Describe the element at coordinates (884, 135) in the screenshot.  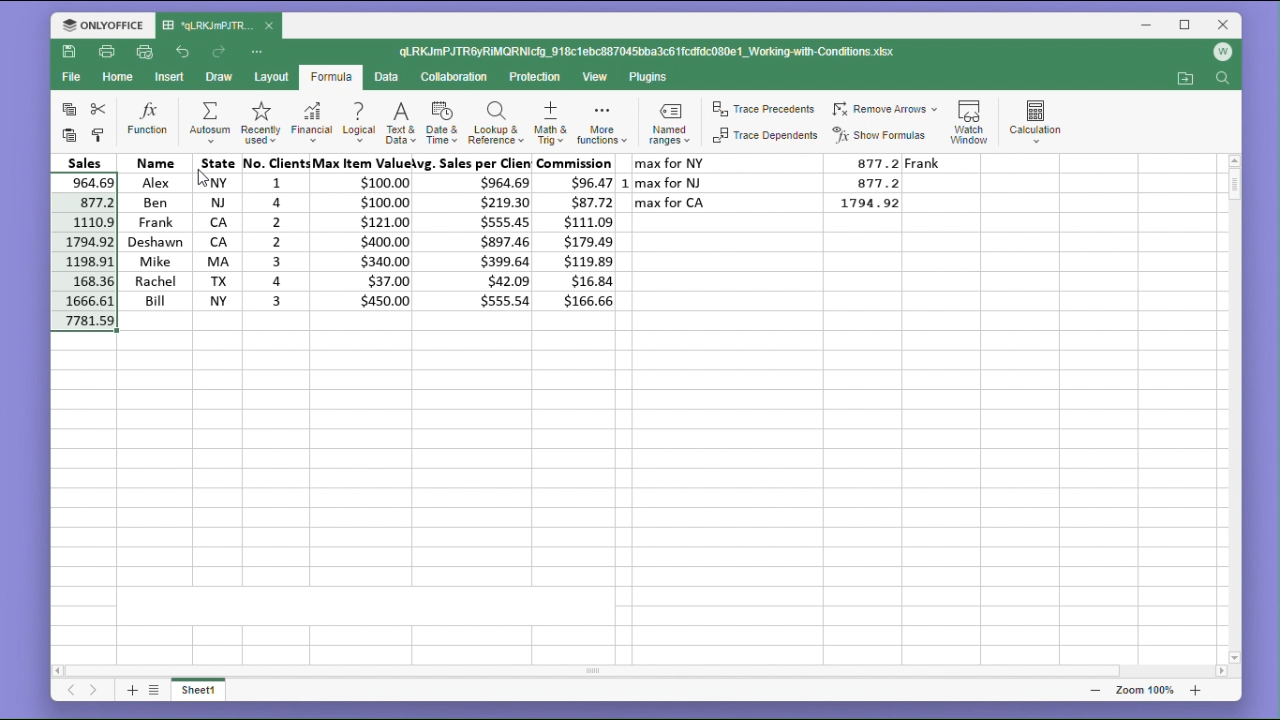
I see `show formulas` at that location.